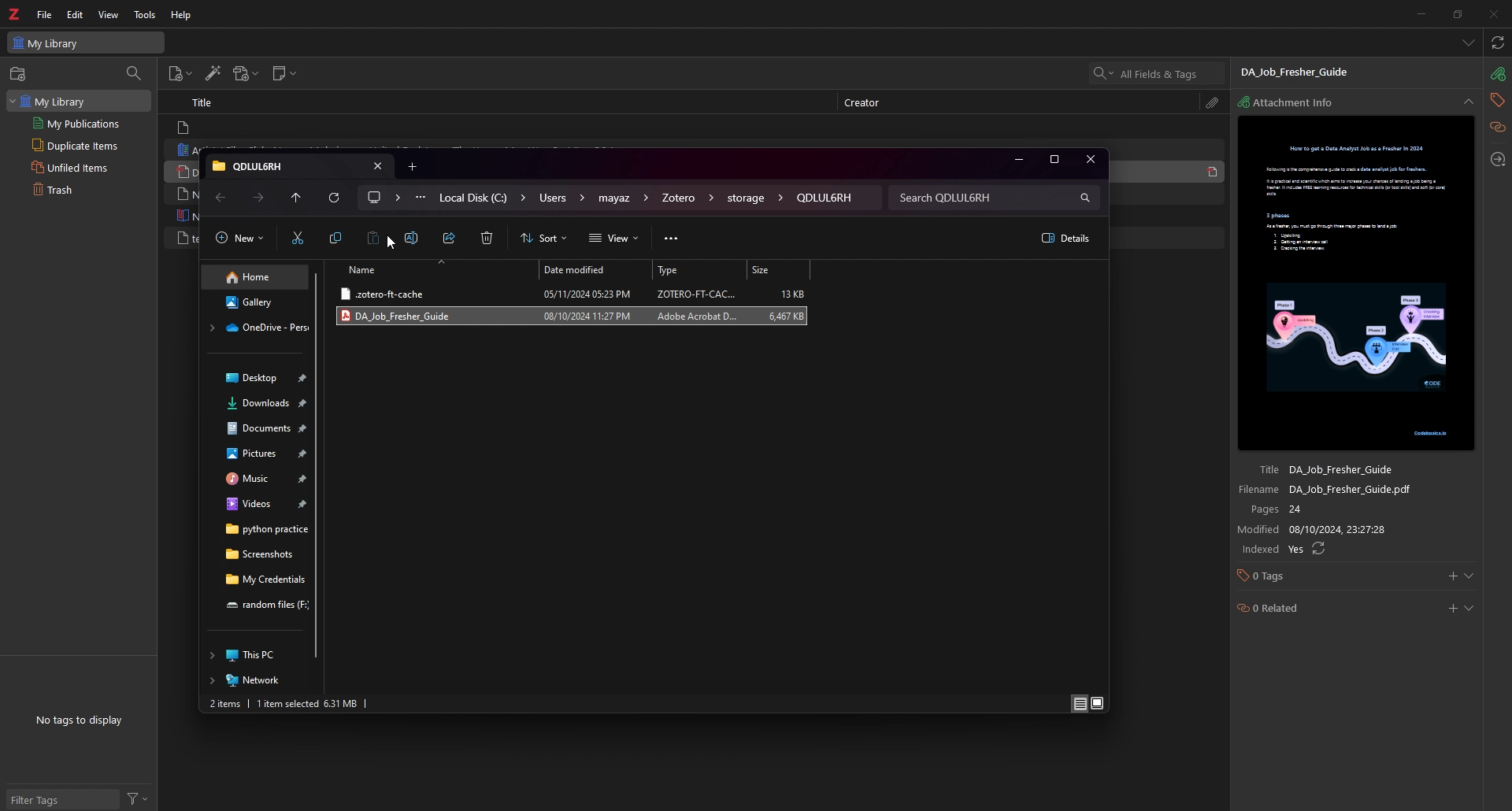 This screenshot has width=1512, height=811. Describe the element at coordinates (297, 239) in the screenshot. I see `cut` at that location.